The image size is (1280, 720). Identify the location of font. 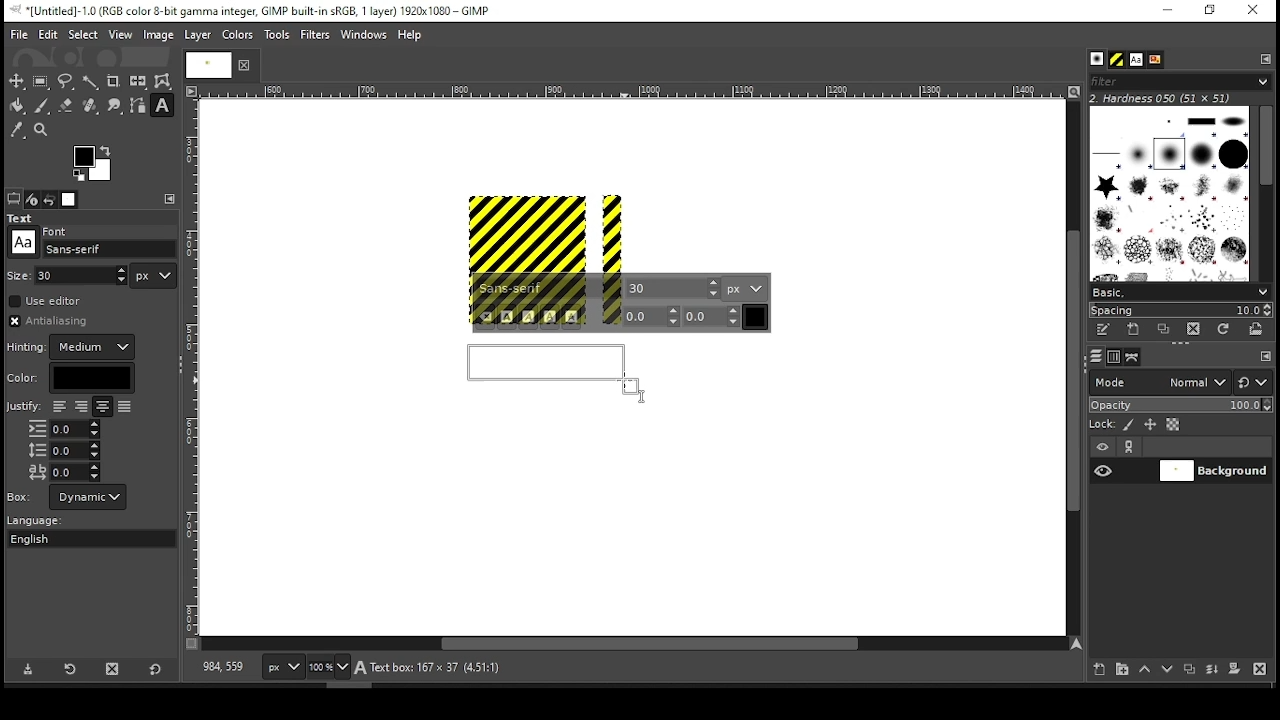
(549, 289).